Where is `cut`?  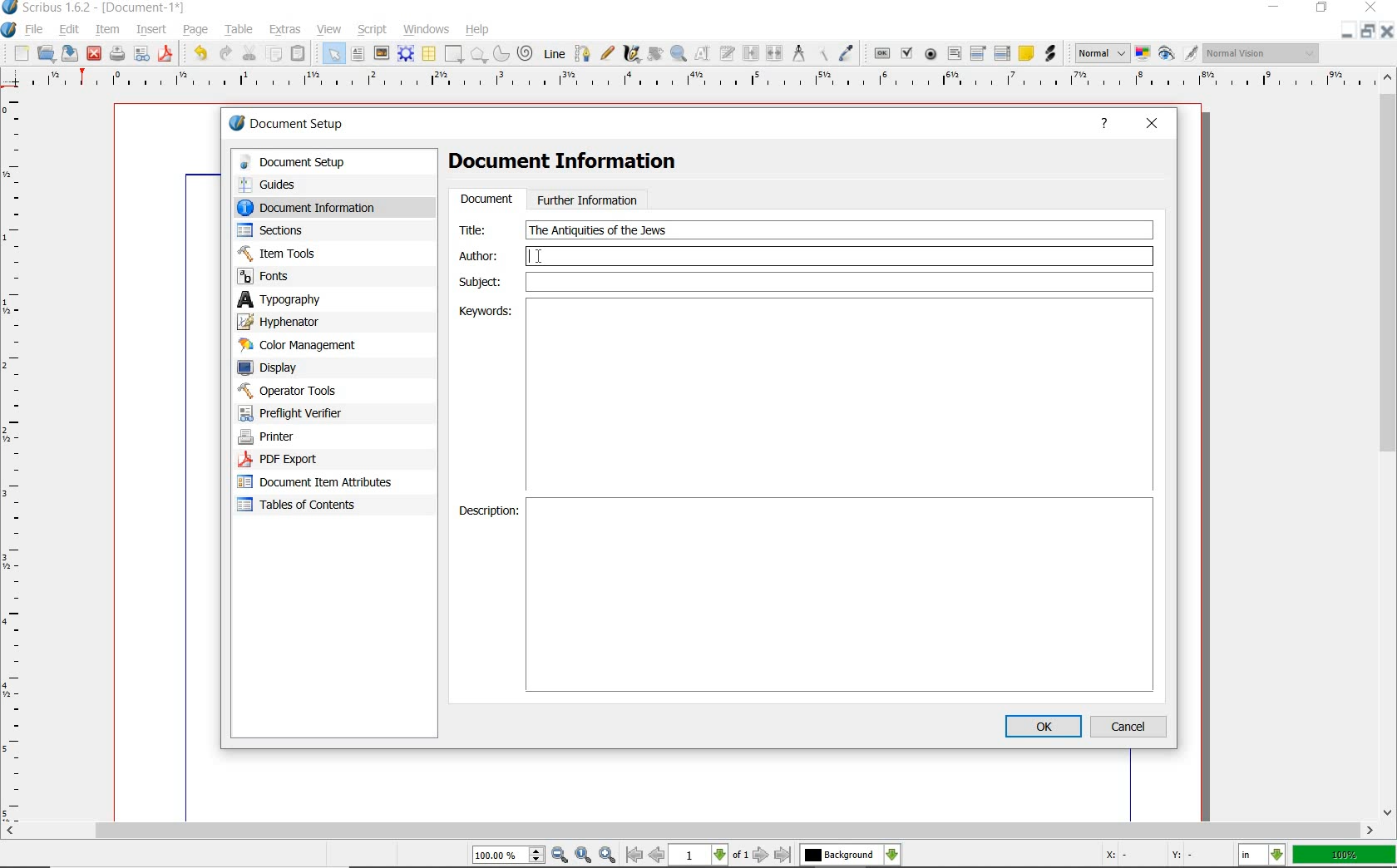 cut is located at coordinates (250, 53).